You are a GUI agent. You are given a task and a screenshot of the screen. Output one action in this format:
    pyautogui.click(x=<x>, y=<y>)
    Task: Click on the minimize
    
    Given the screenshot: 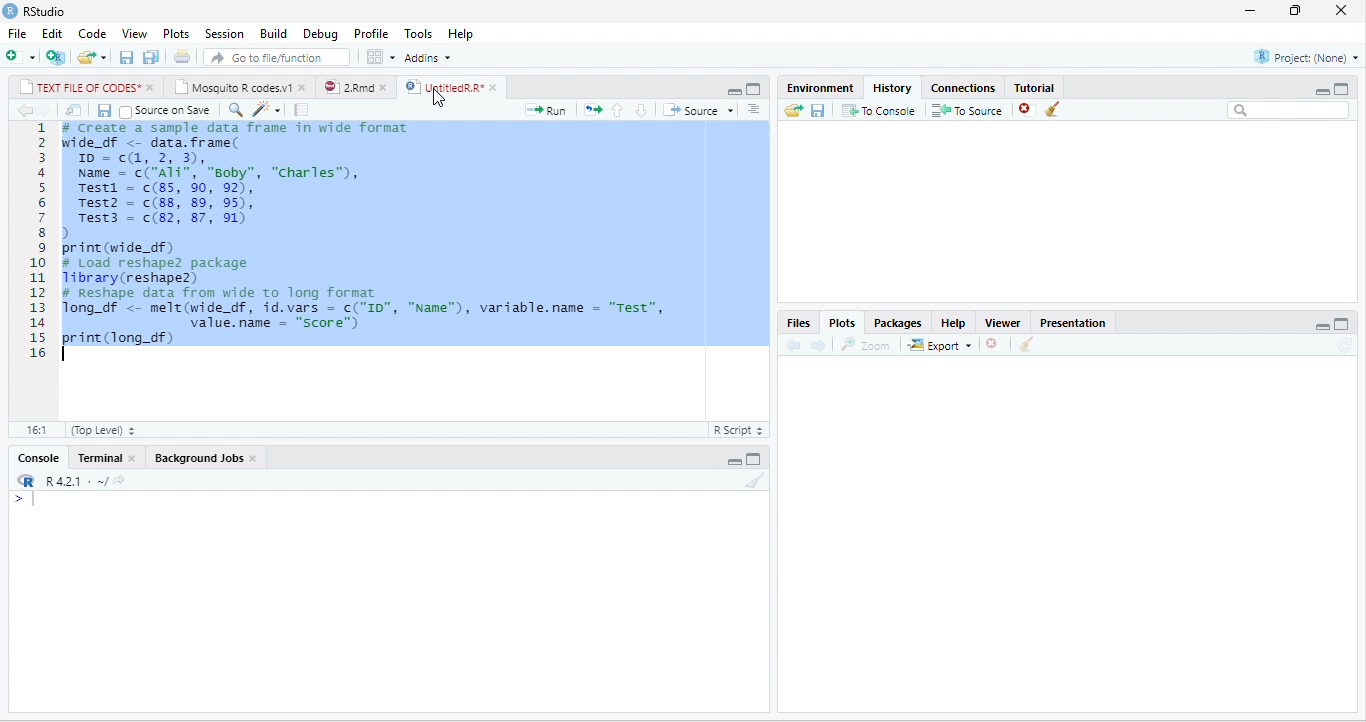 What is the action you would take?
    pyautogui.click(x=734, y=460)
    